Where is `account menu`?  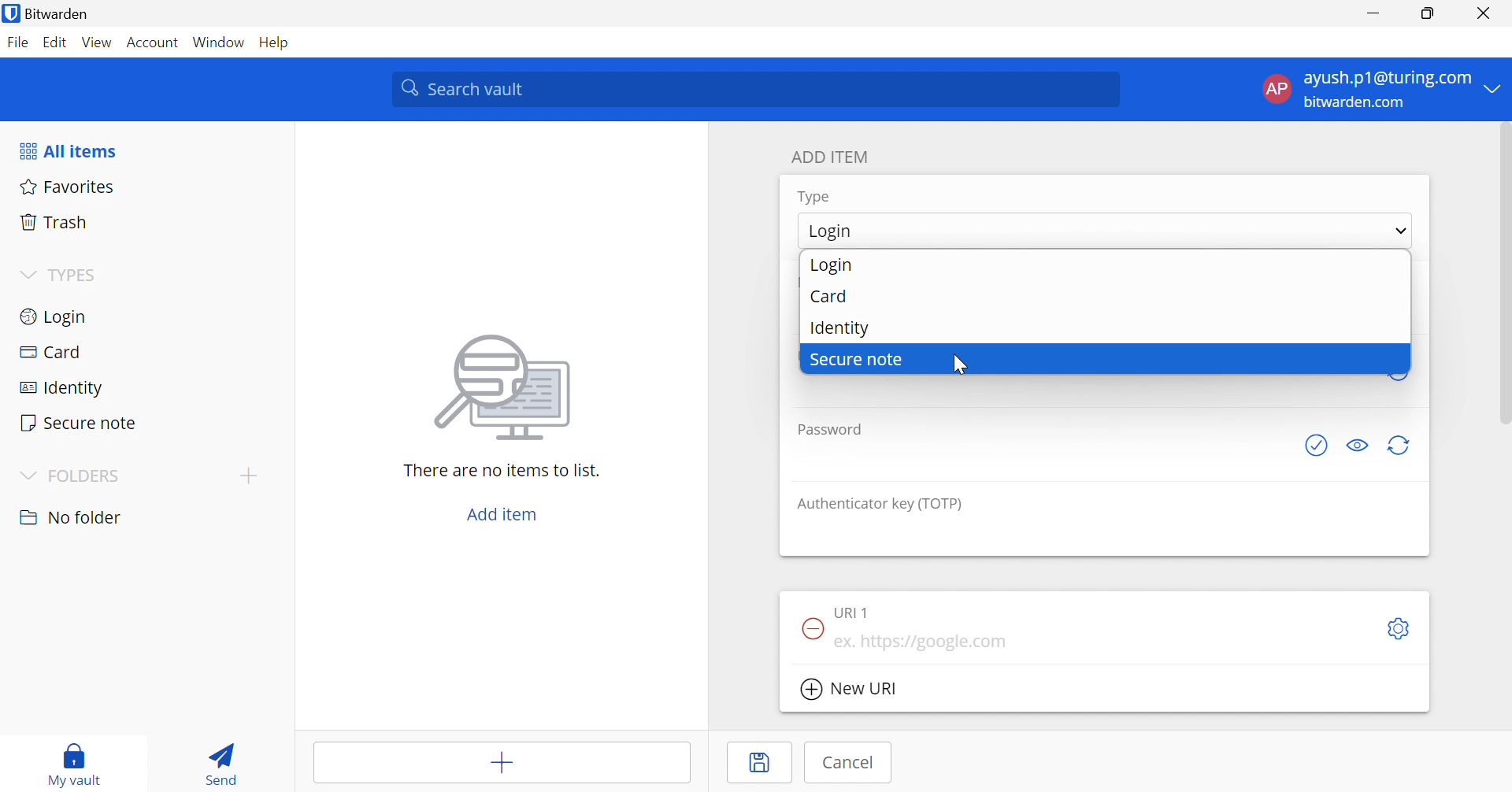
account menu is located at coordinates (1379, 90).